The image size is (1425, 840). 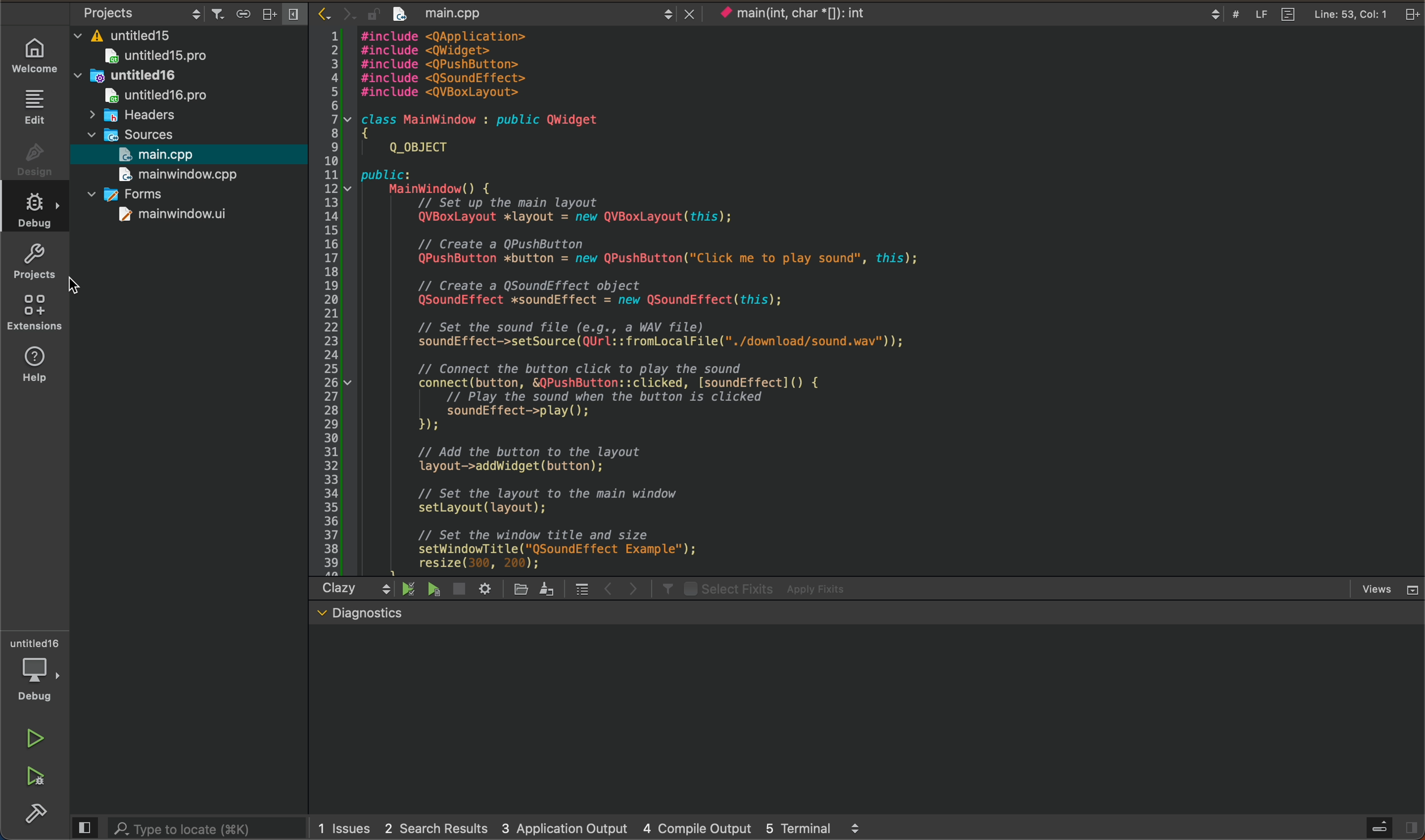 What do you see at coordinates (544, 590) in the screenshot?
I see `clear` at bounding box center [544, 590].